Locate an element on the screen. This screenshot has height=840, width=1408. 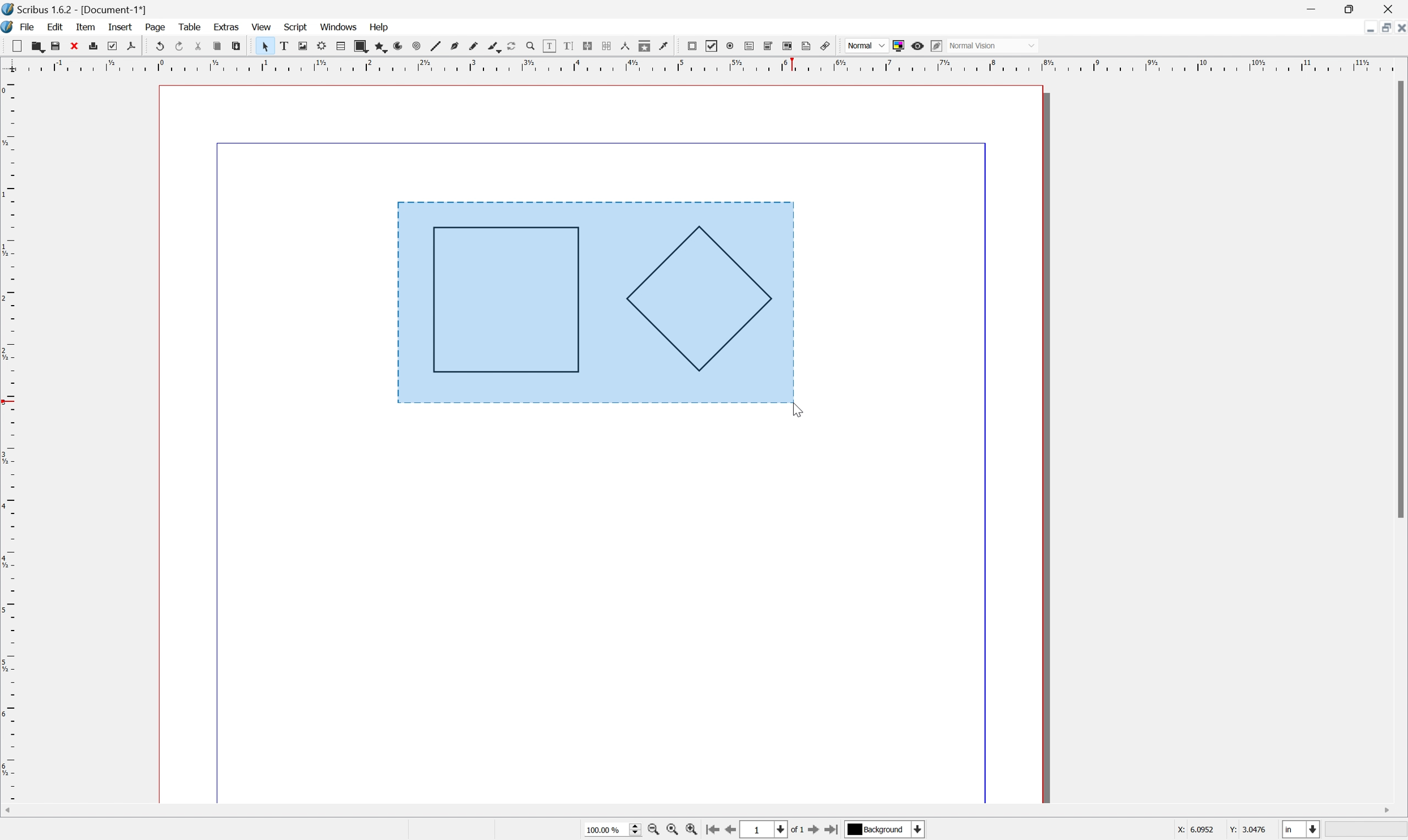
Restore down is located at coordinates (1384, 28).